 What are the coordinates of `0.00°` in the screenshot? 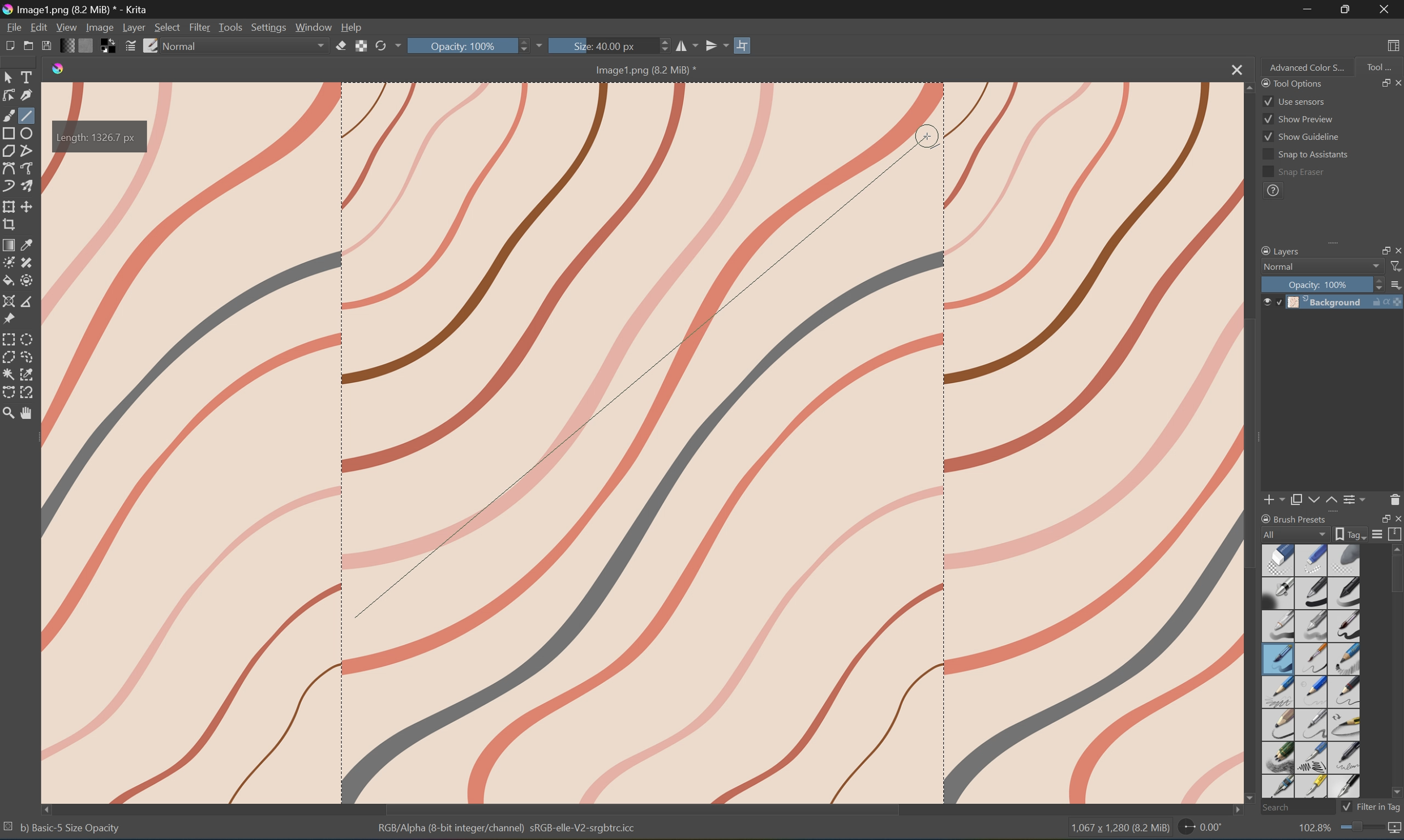 It's located at (1200, 829).